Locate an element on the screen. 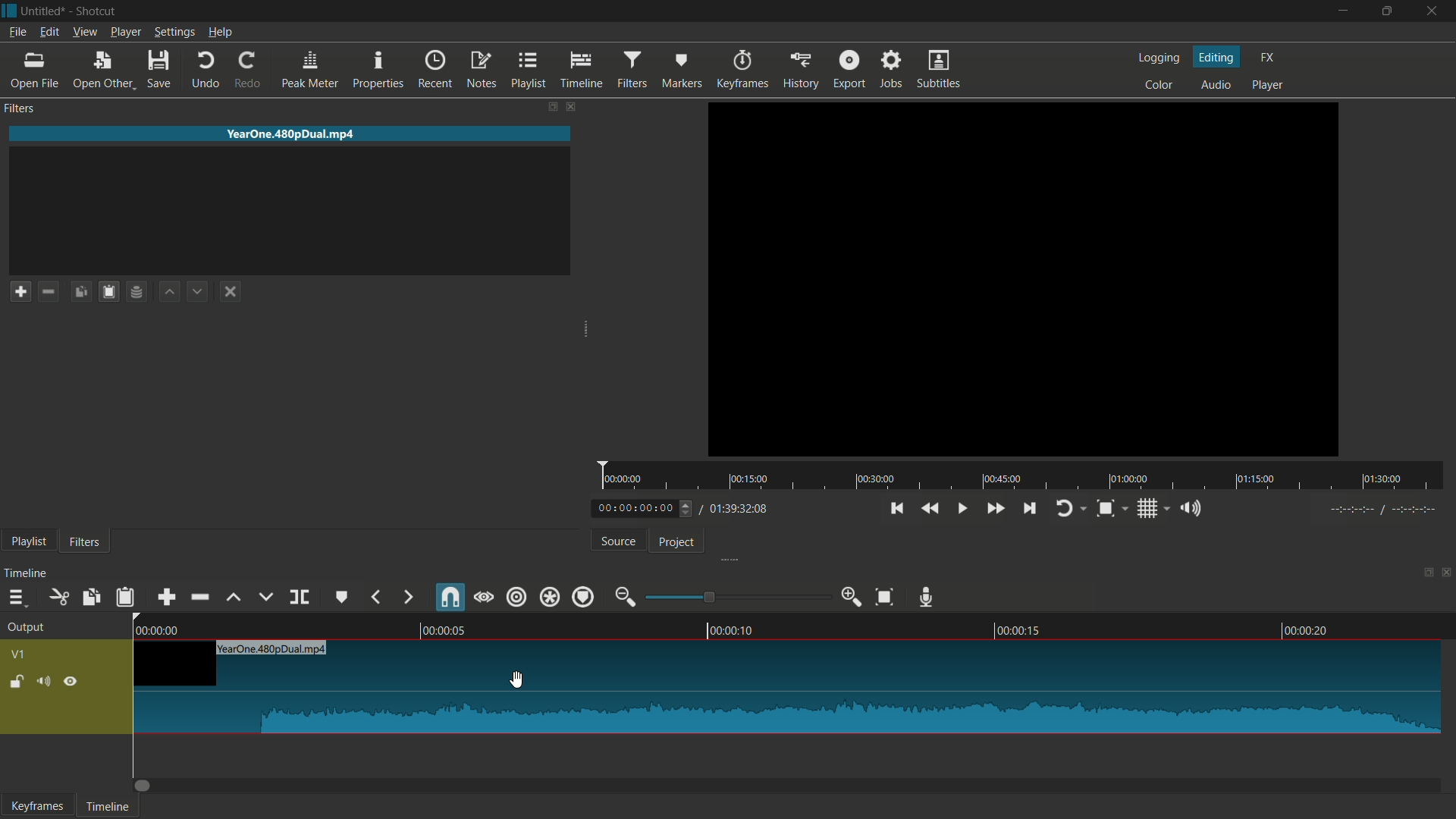 Image resolution: width=1456 pixels, height=819 pixels. overwrite is located at coordinates (266, 598).